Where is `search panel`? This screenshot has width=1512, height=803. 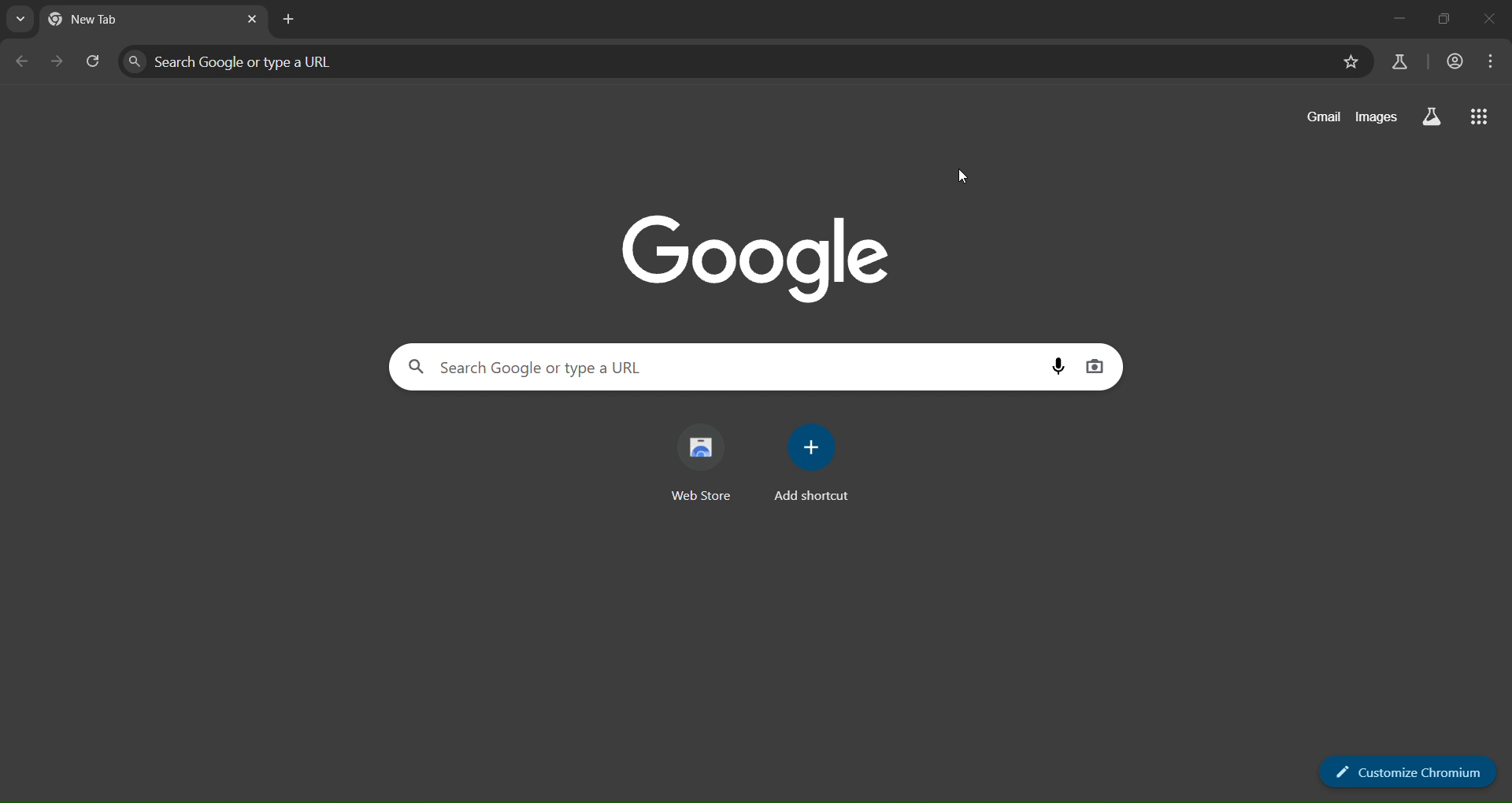
search panel is located at coordinates (606, 369).